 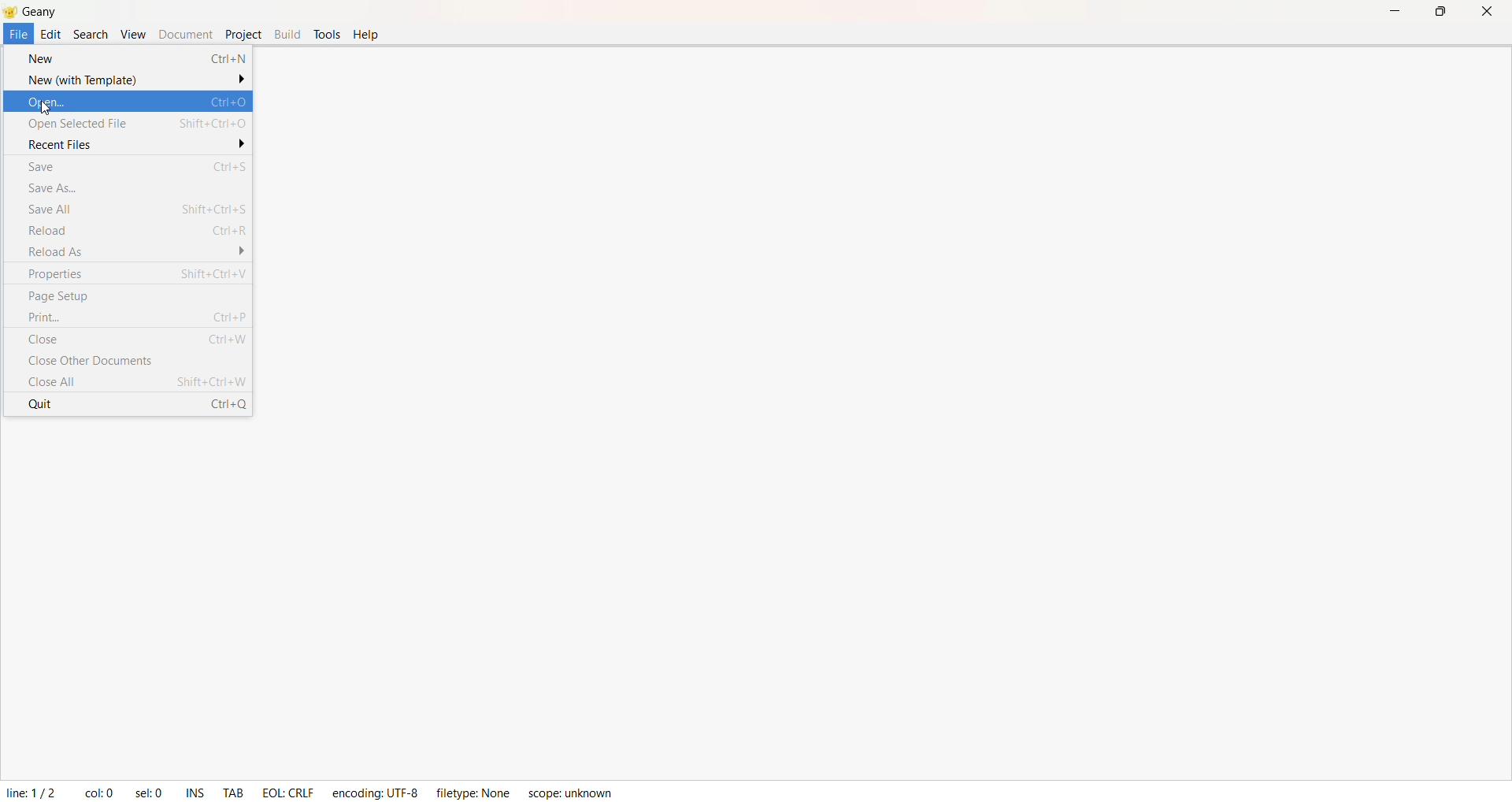 I want to click on Close, so click(x=139, y=340).